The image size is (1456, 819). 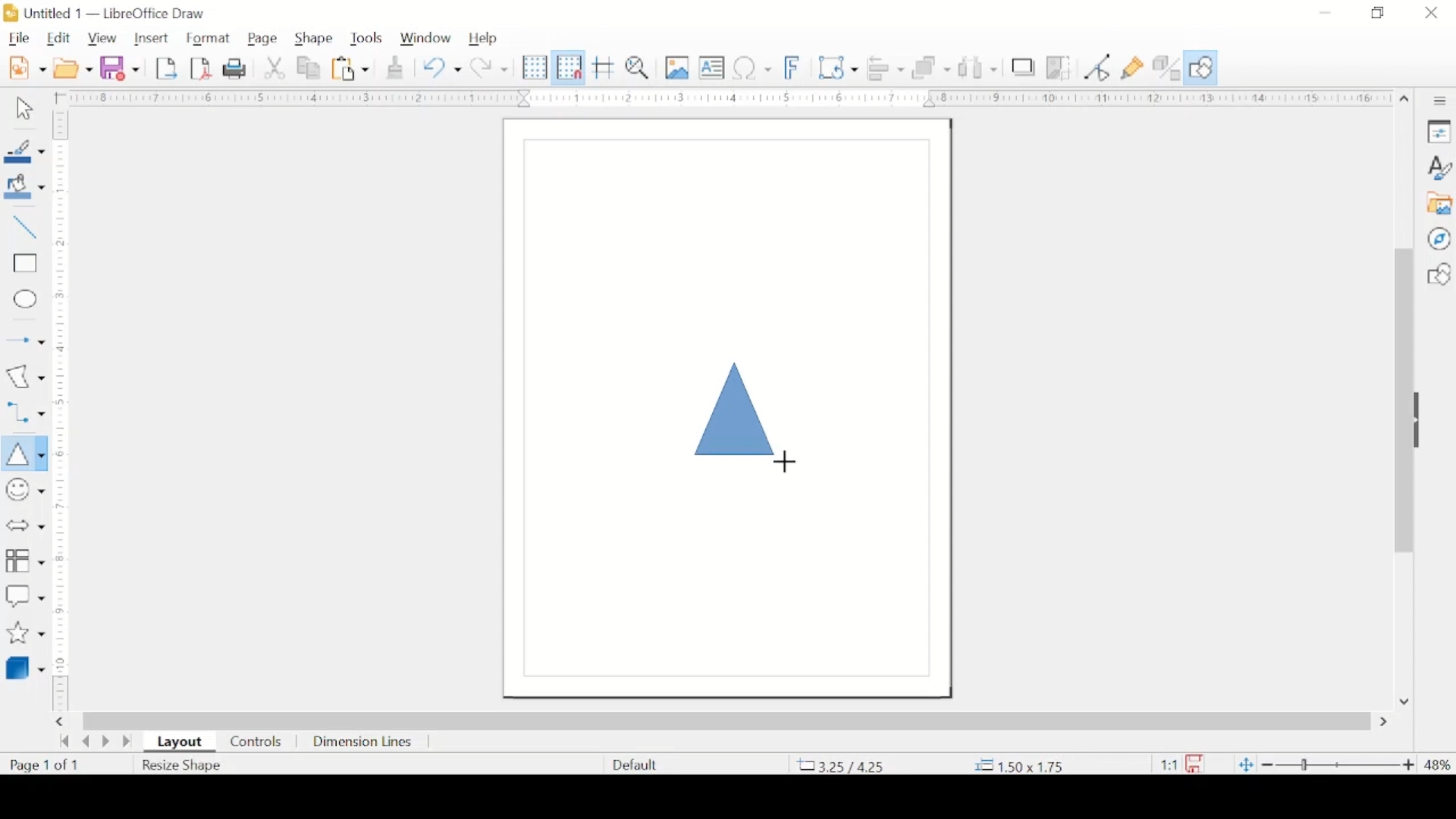 I want to click on page count, so click(x=43, y=765).